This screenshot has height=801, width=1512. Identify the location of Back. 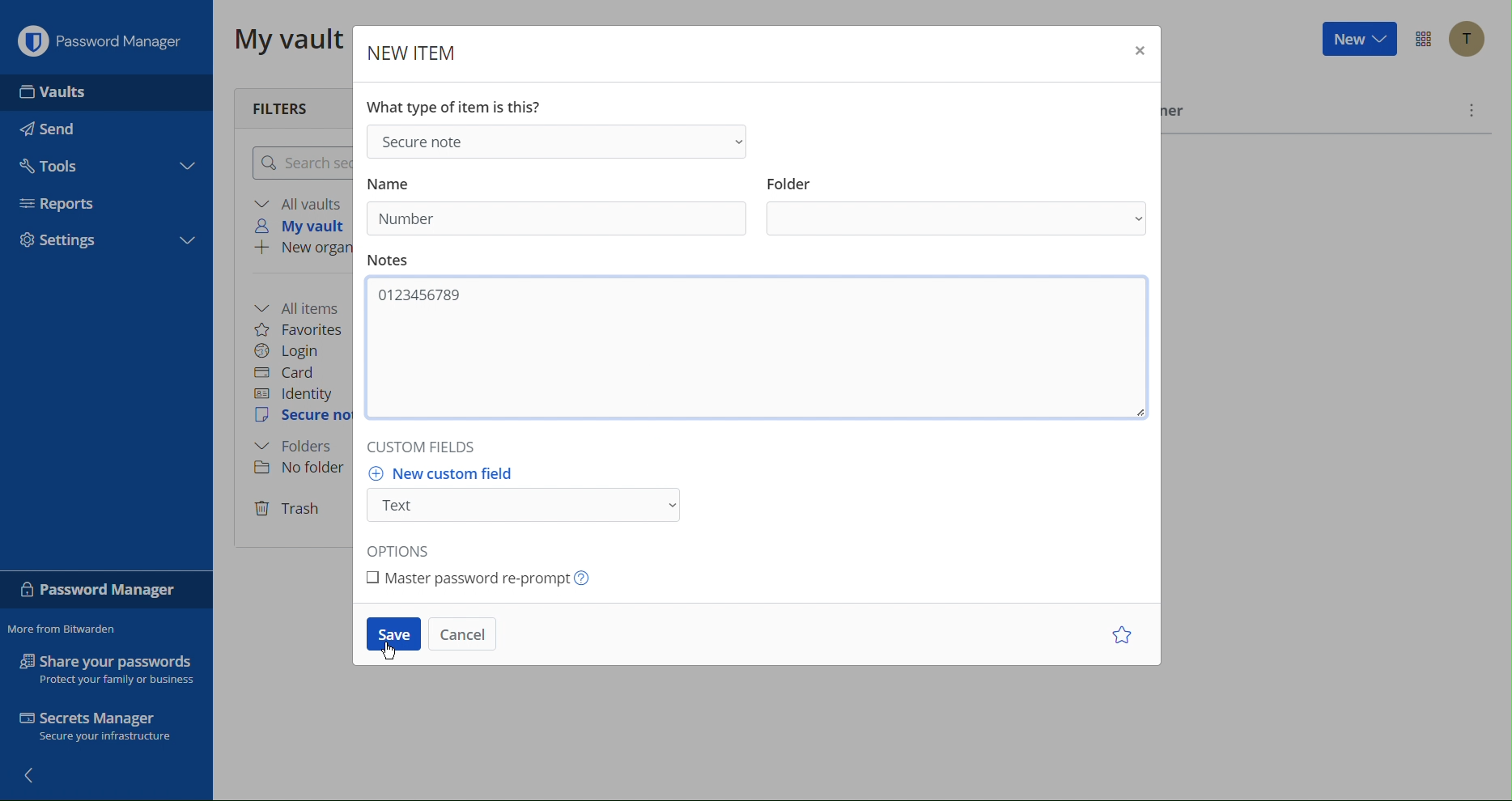
(35, 778).